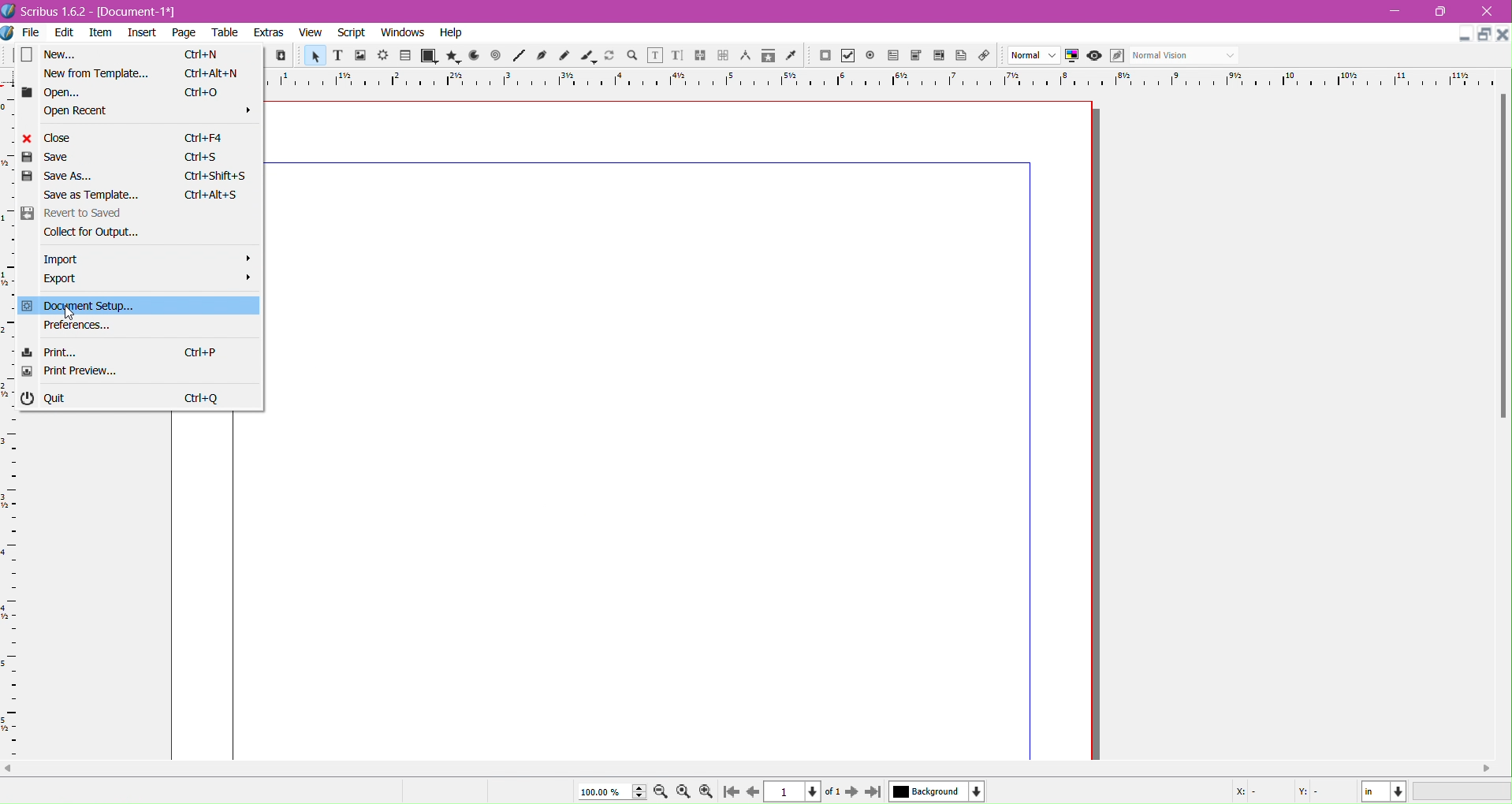 Image resolution: width=1512 pixels, height=804 pixels. Describe the element at coordinates (1034, 56) in the screenshot. I see `image preview quality` at that location.